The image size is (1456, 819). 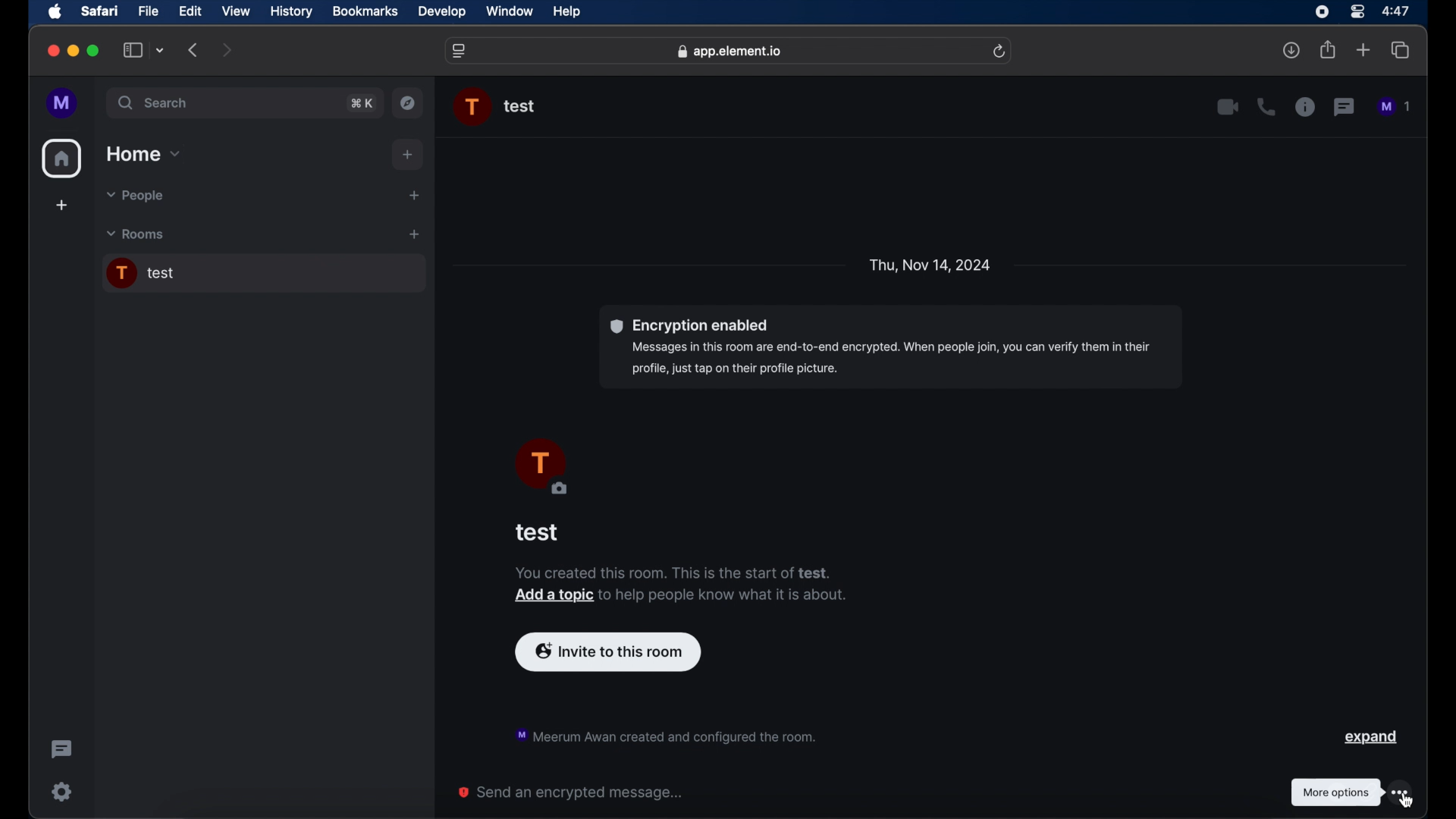 I want to click on date and day, so click(x=930, y=264).